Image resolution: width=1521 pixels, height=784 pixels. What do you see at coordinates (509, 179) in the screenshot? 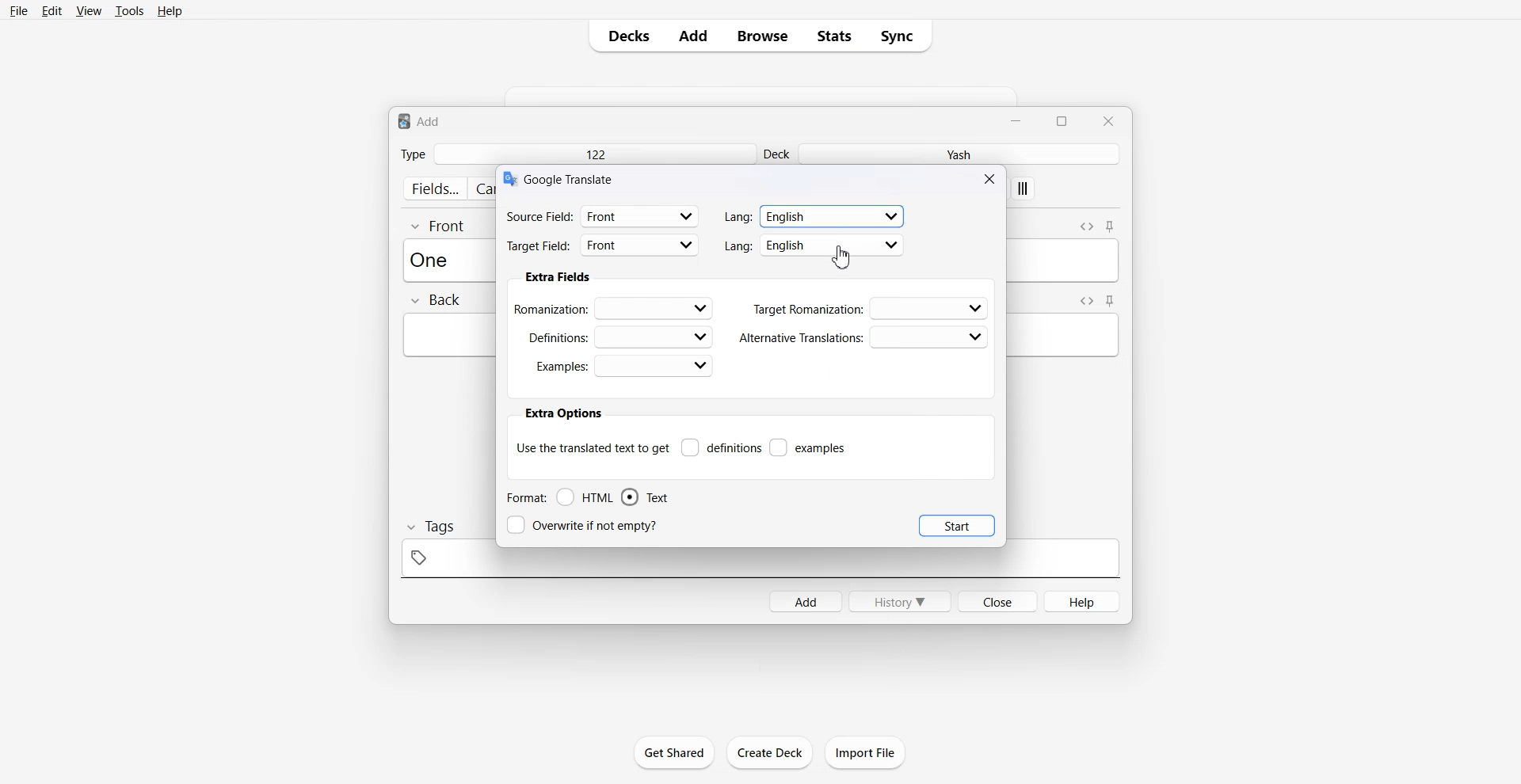
I see `logo` at bounding box center [509, 179].